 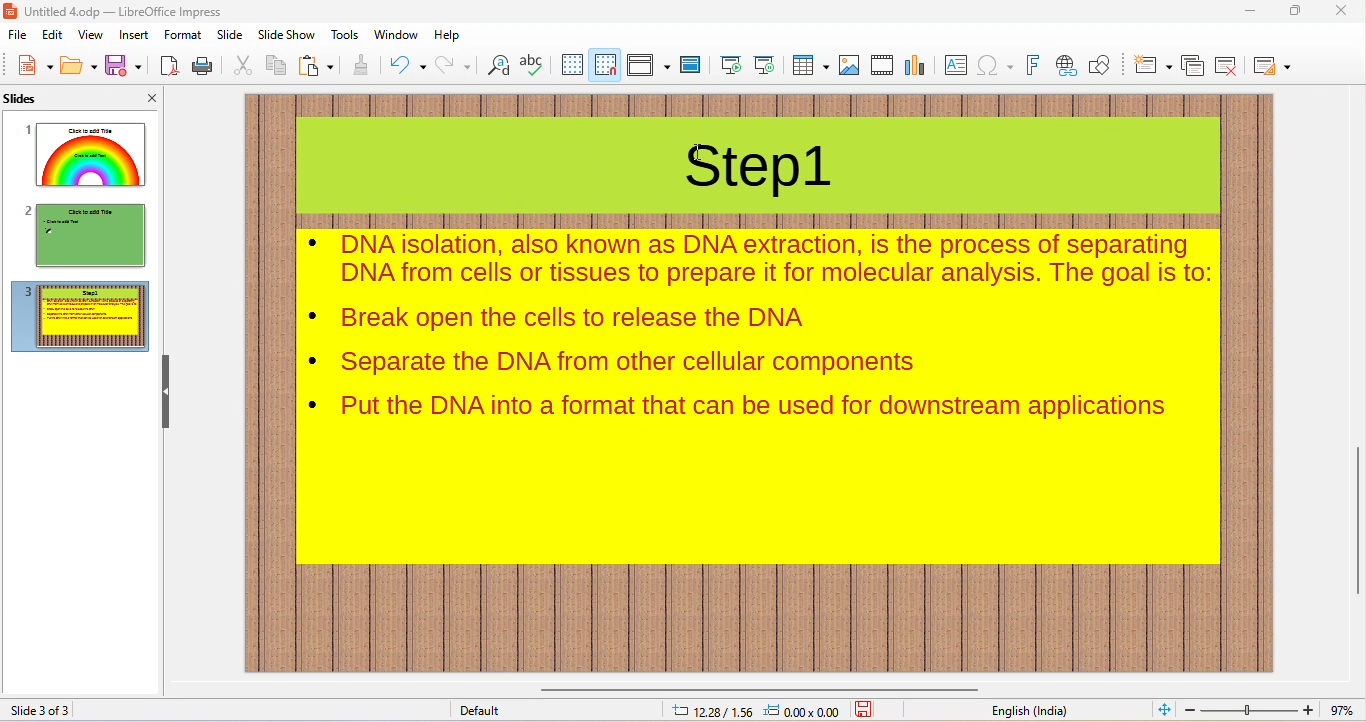 What do you see at coordinates (41, 708) in the screenshot?
I see `slide 3 of 3` at bounding box center [41, 708].